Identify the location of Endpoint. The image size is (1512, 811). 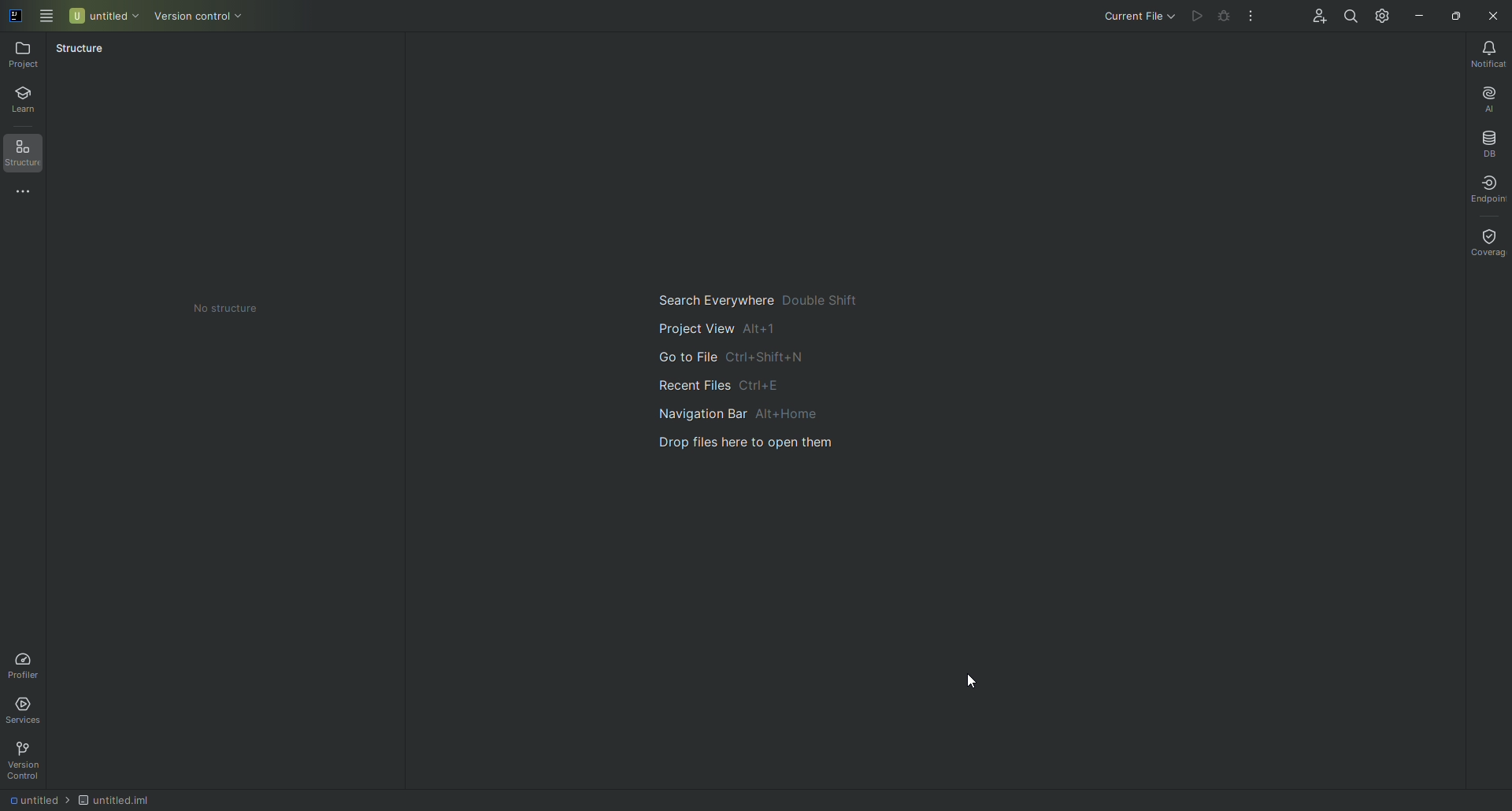
(1481, 188).